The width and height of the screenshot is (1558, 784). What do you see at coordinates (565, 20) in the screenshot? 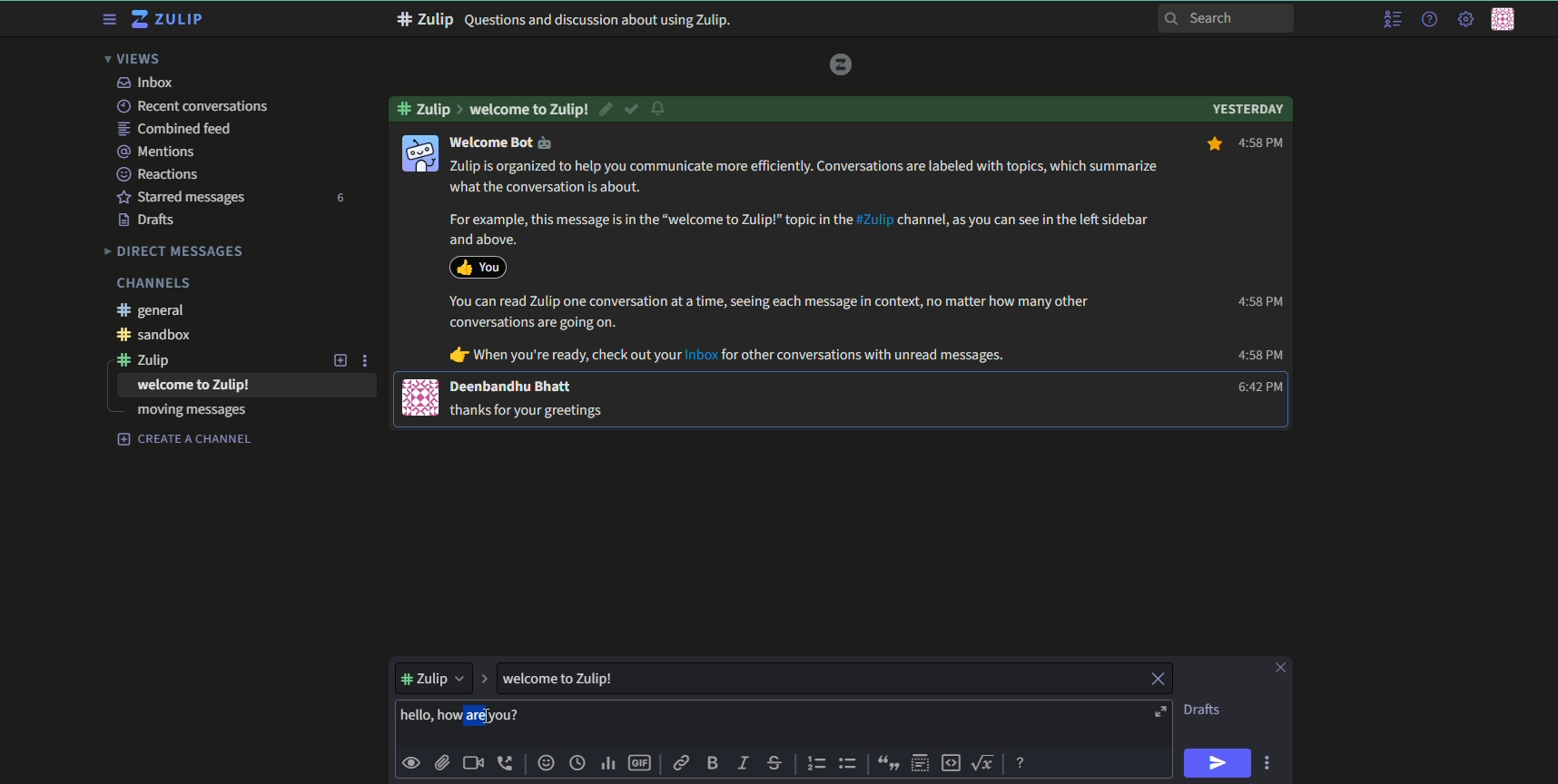
I see `# Zulip Questions and discussion about using Zulip.` at bounding box center [565, 20].